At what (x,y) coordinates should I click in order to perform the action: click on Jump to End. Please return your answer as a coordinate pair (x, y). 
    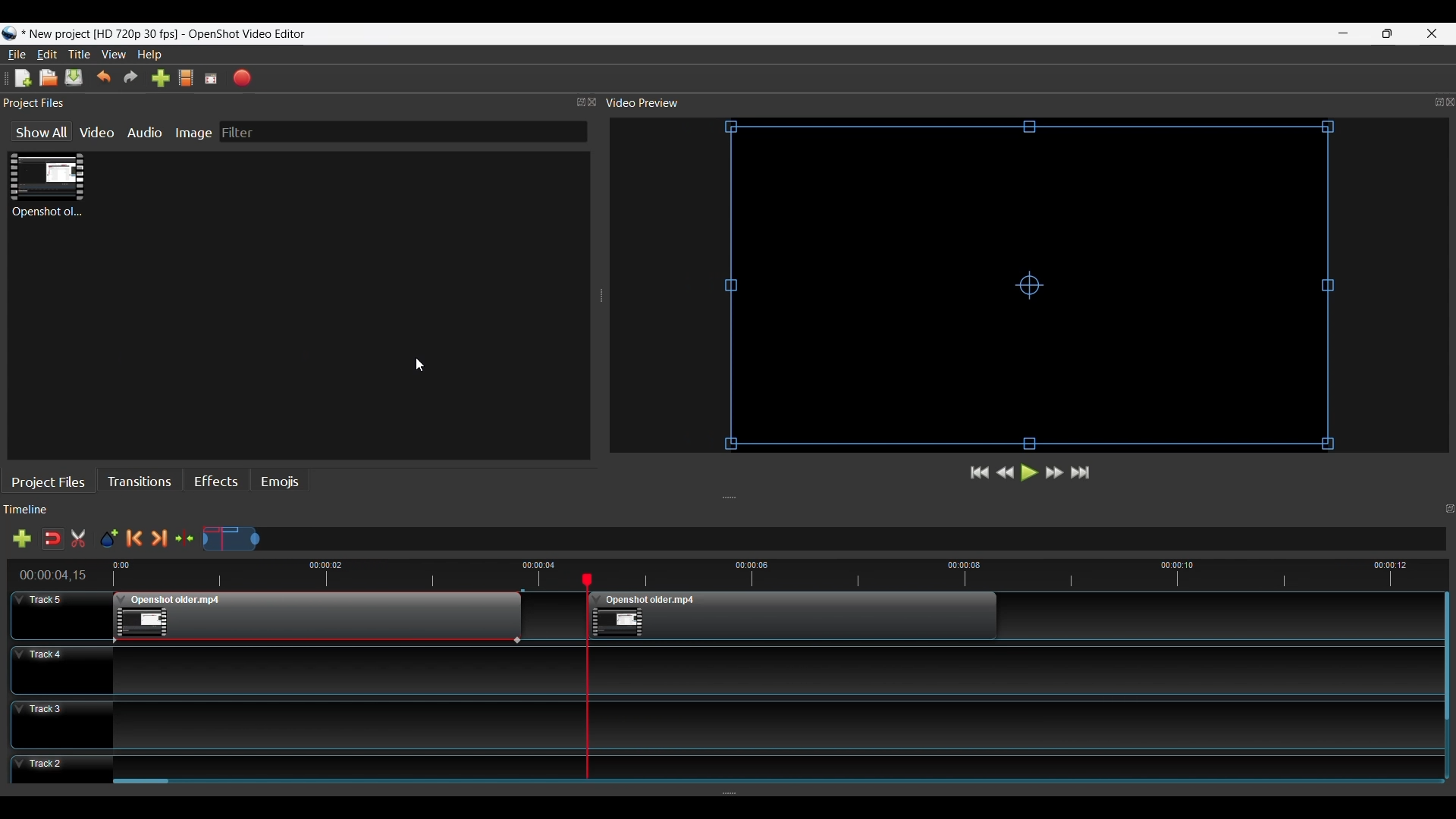
    Looking at the image, I should click on (1082, 473).